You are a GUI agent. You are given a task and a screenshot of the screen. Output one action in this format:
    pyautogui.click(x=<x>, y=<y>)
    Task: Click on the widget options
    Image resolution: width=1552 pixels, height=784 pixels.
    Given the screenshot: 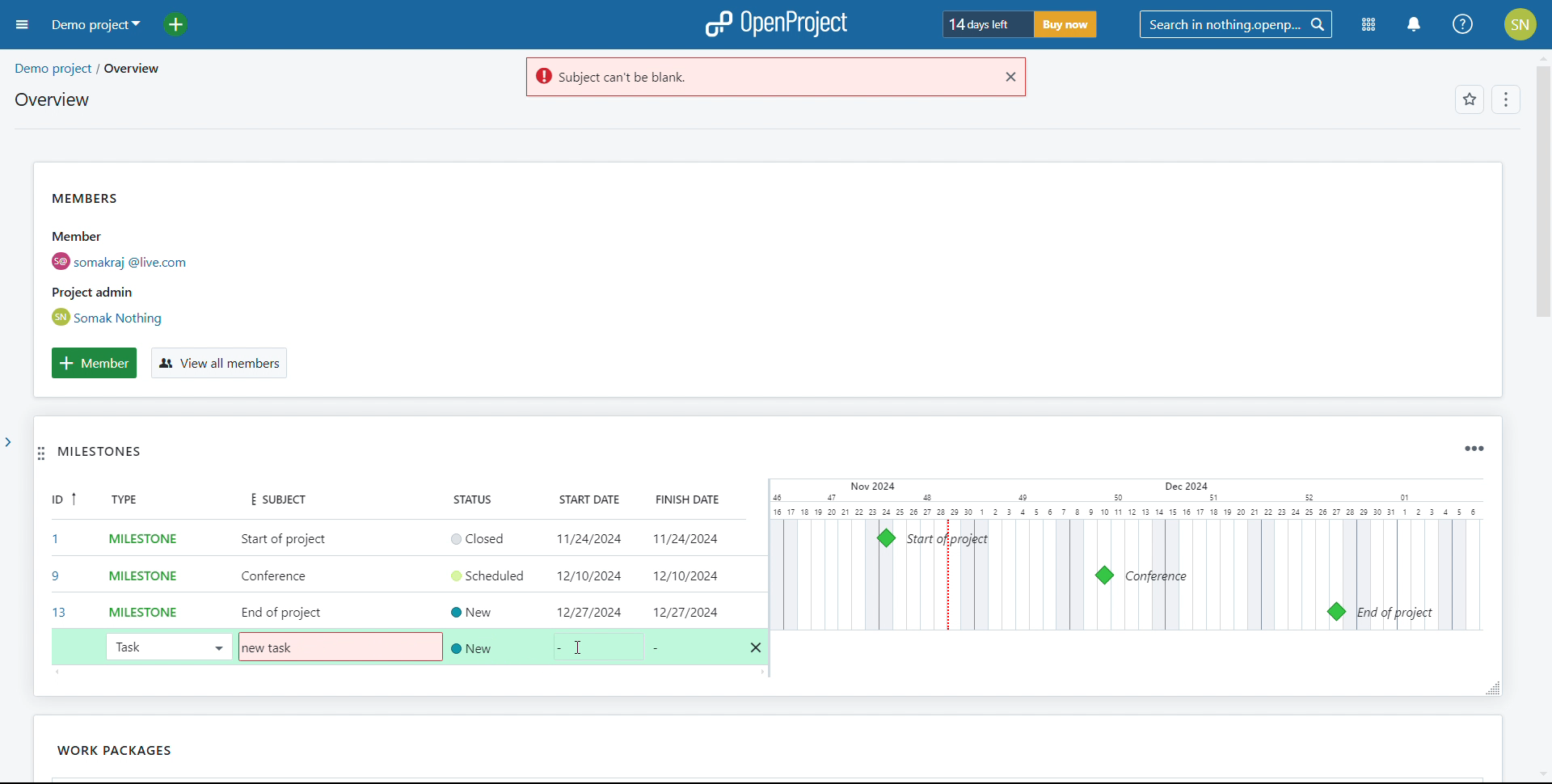 What is the action you would take?
    pyautogui.click(x=1472, y=449)
    